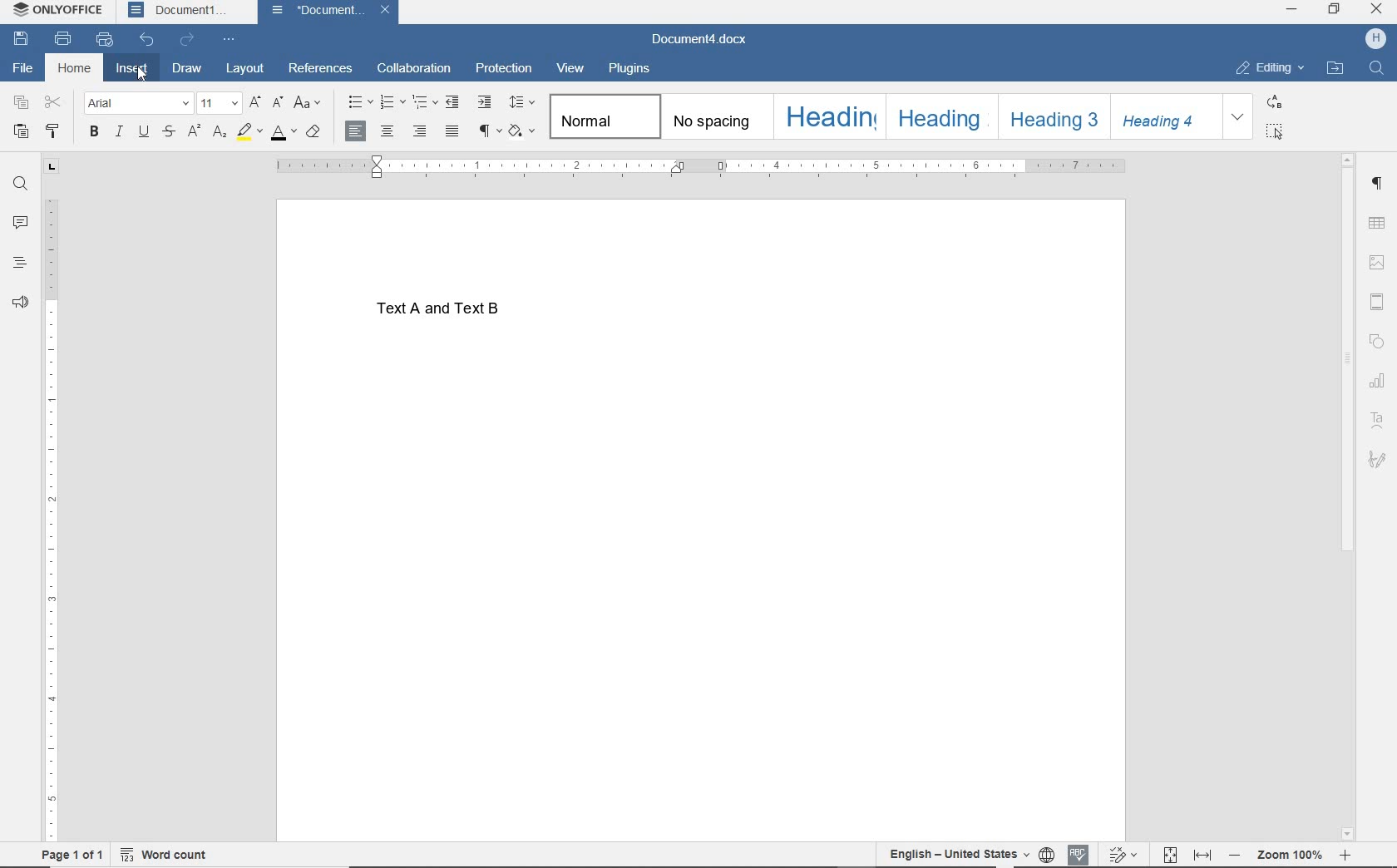 The height and width of the screenshot is (868, 1397). What do you see at coordinates (93, 133) in the screenshot?
I see `BOLD` at bounding box center [93, 133].